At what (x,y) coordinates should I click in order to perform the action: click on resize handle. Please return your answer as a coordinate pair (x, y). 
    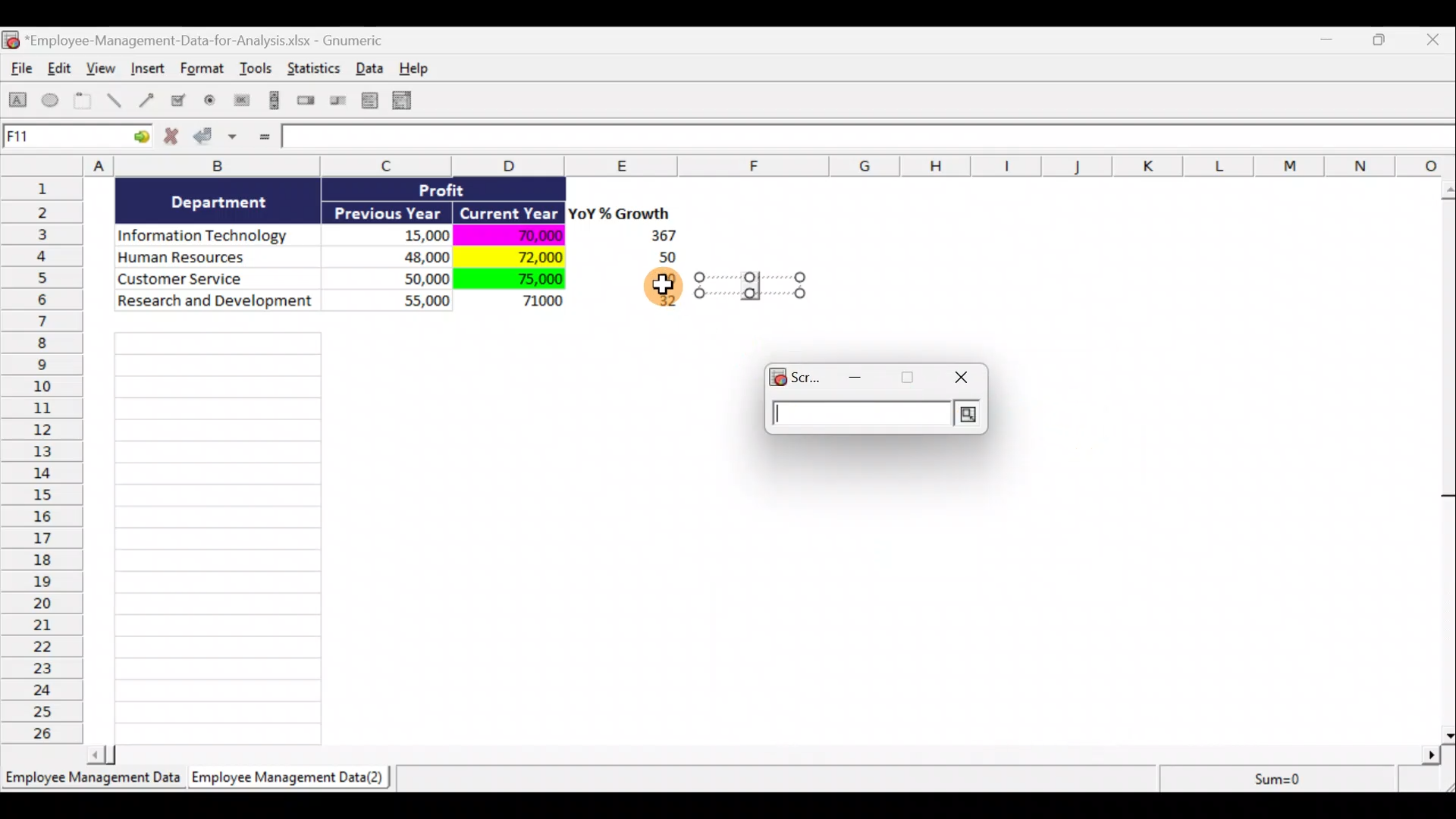
    Looking at the image, I should click on (750, 284).